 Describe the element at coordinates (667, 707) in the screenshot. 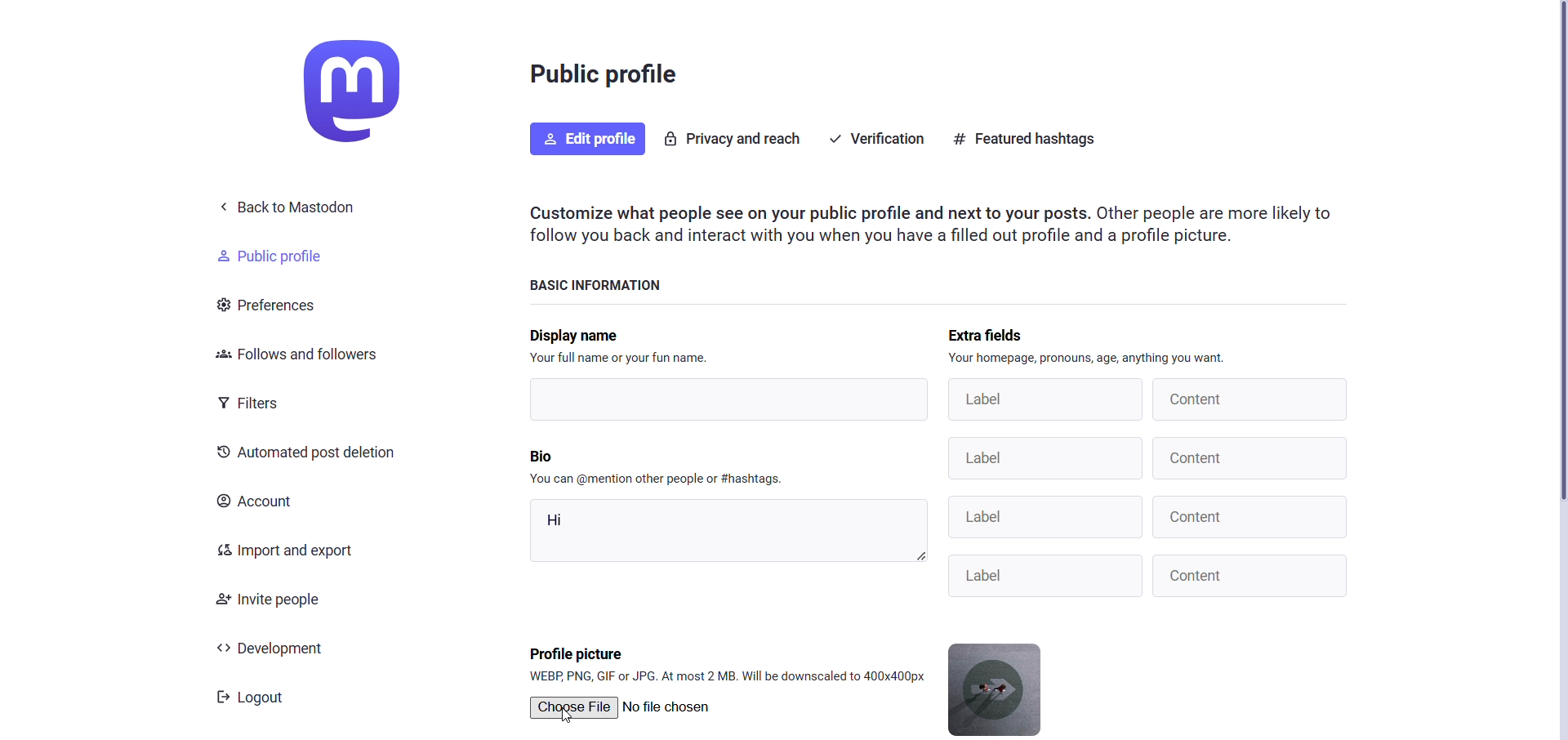

I see `no file chosen` at that location.